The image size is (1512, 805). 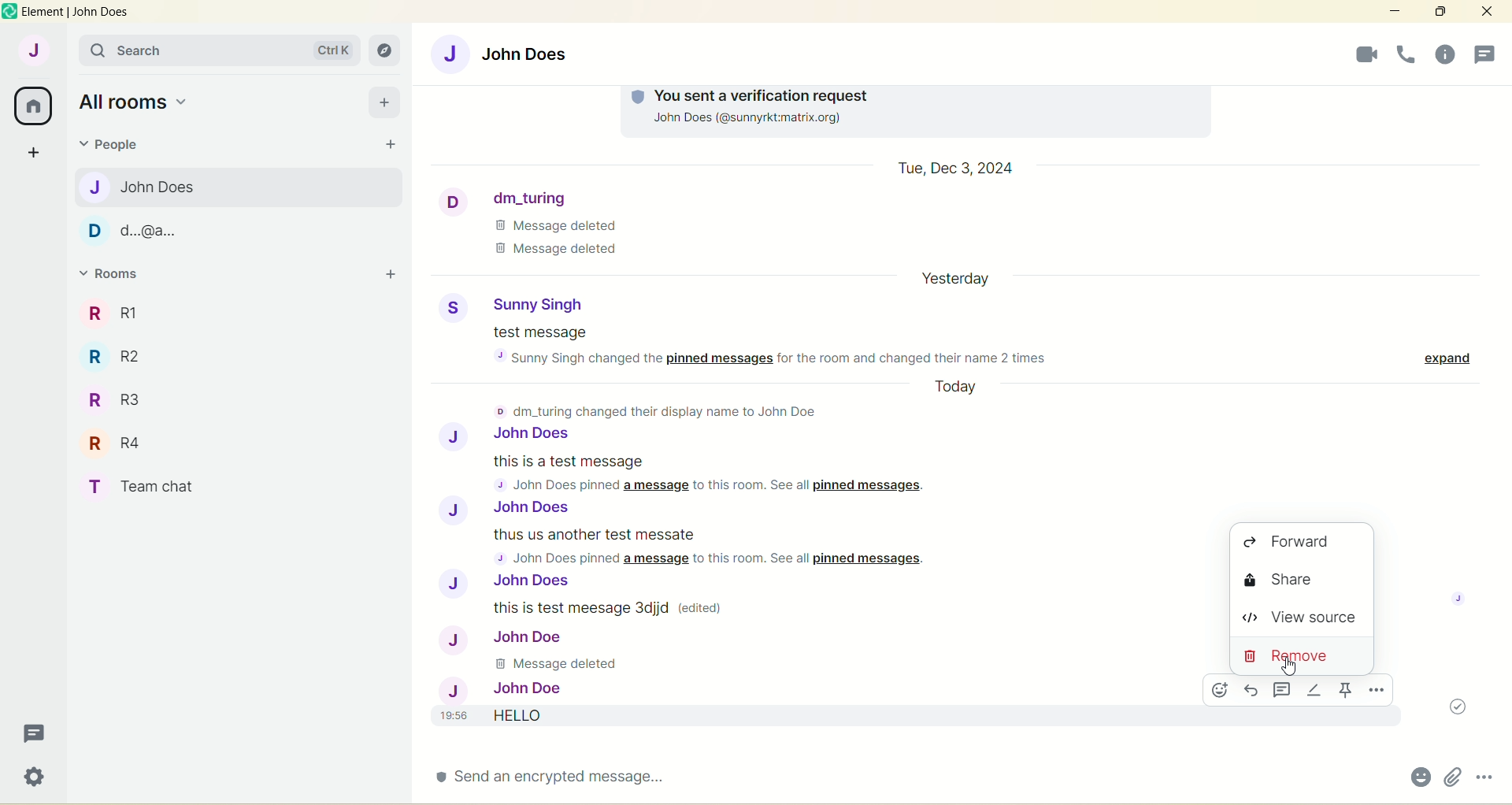 I want to click on test message, so click(x=543, y=333).